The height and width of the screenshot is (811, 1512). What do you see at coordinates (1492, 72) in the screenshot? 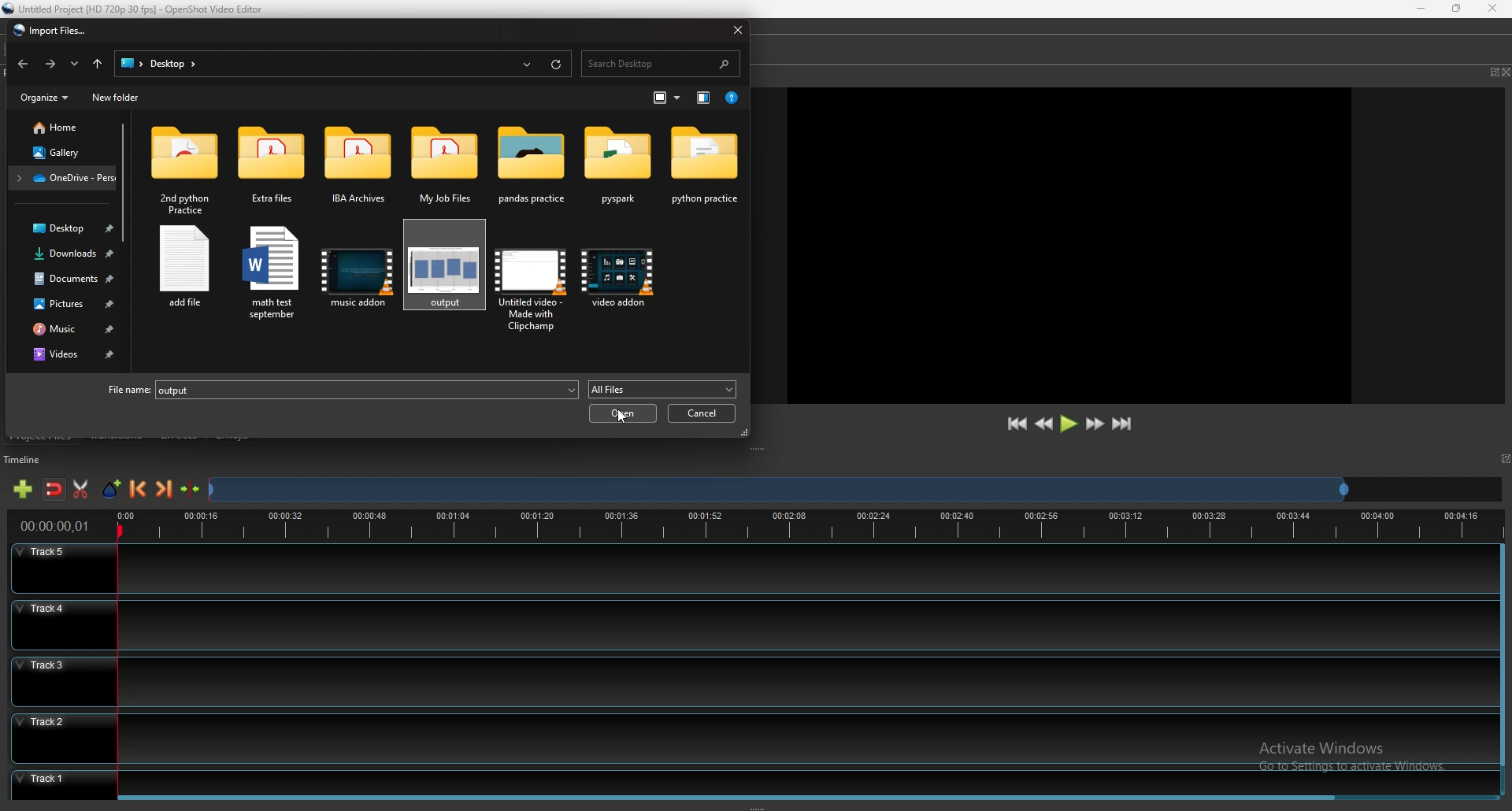
I see `pop out` at bounding box center [1492, 72].